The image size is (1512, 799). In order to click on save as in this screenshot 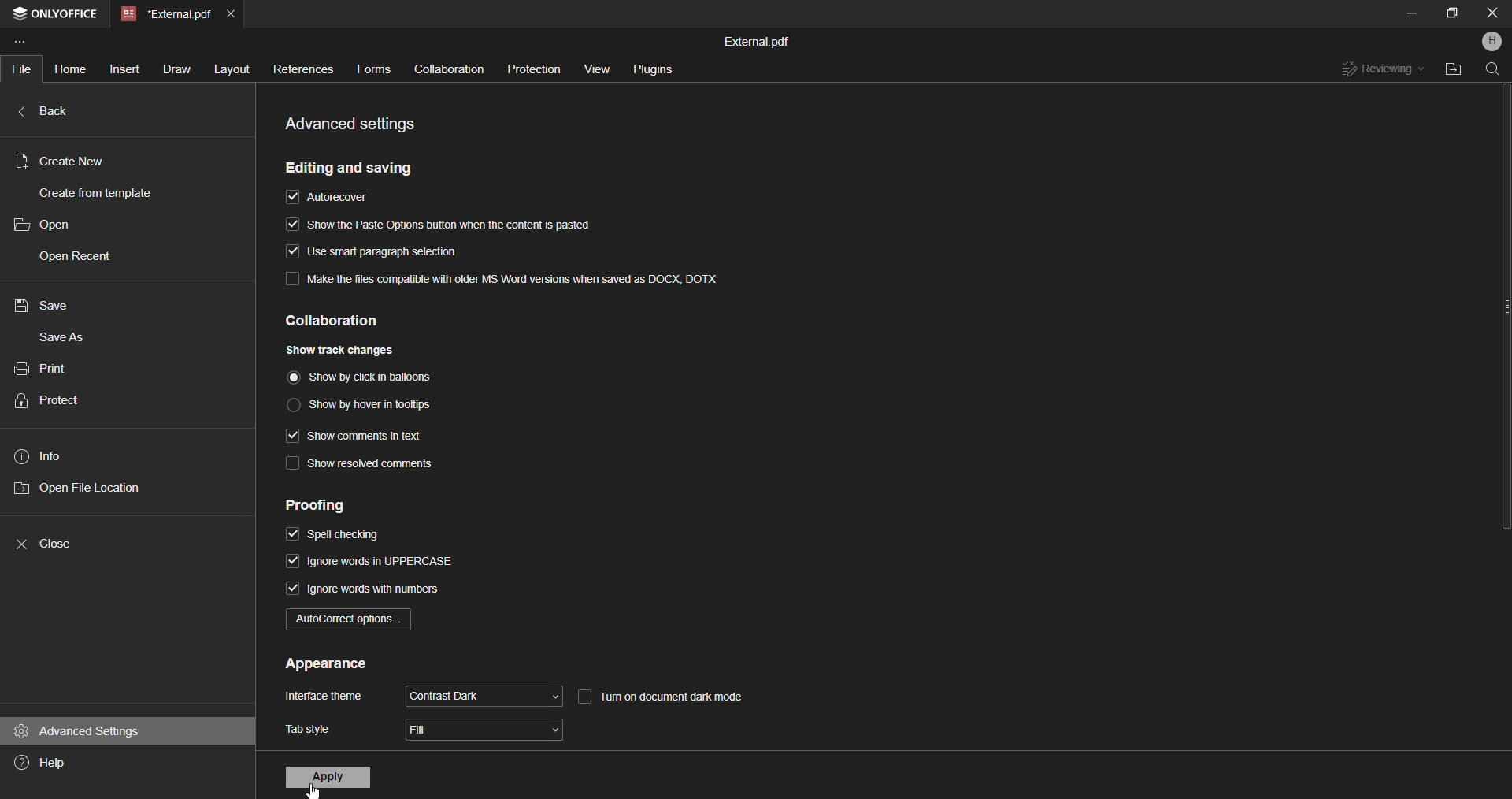, I will do `click(64, 340)`.